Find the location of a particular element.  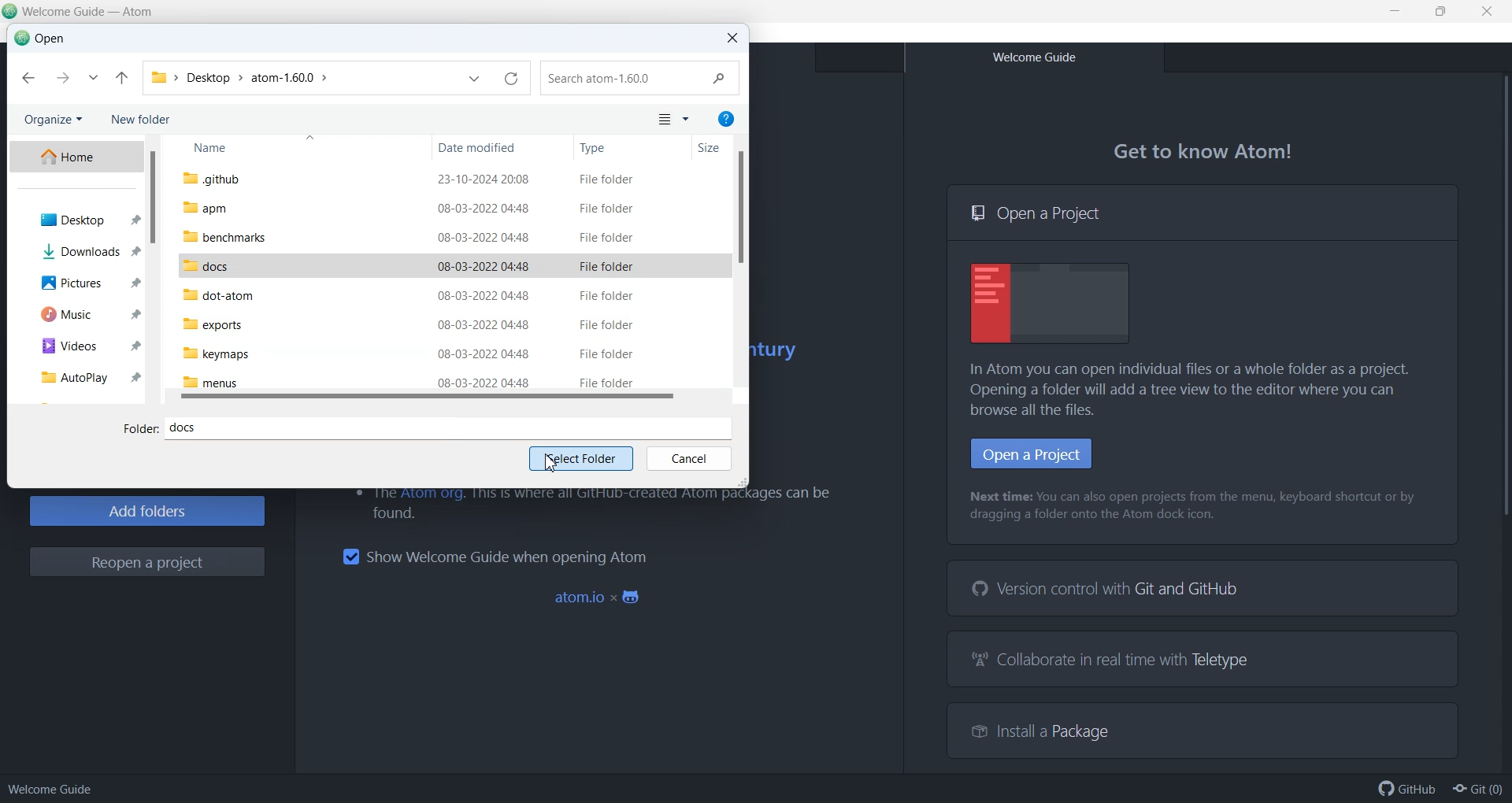

Vertical slide bar is located at coordinates (740, 216).